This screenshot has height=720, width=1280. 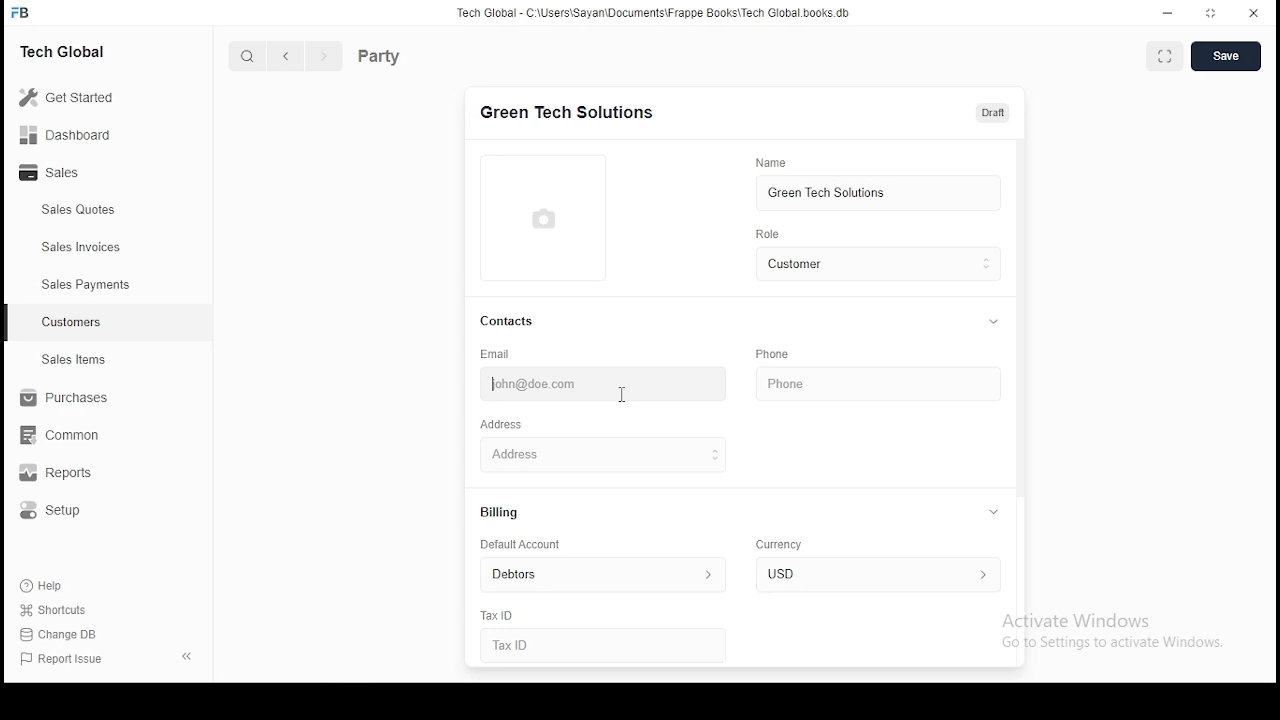 What do you see at coordinates (539, 645) in the screenshot?
I see `Tax ID` at bounding box center [539, 645].